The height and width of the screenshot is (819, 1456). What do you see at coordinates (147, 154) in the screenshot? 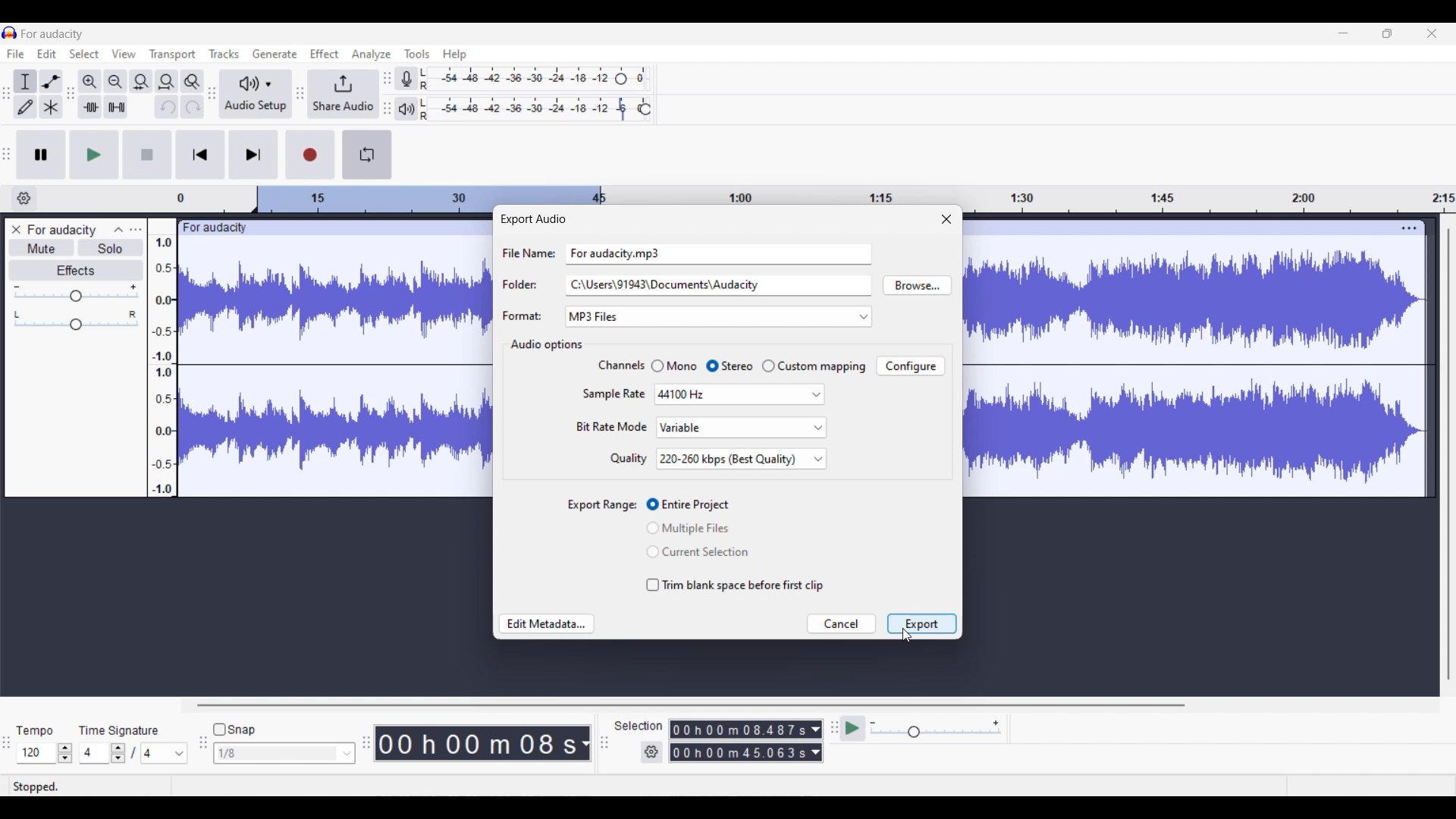
I see `Stop` at bounding box center [147, 154].